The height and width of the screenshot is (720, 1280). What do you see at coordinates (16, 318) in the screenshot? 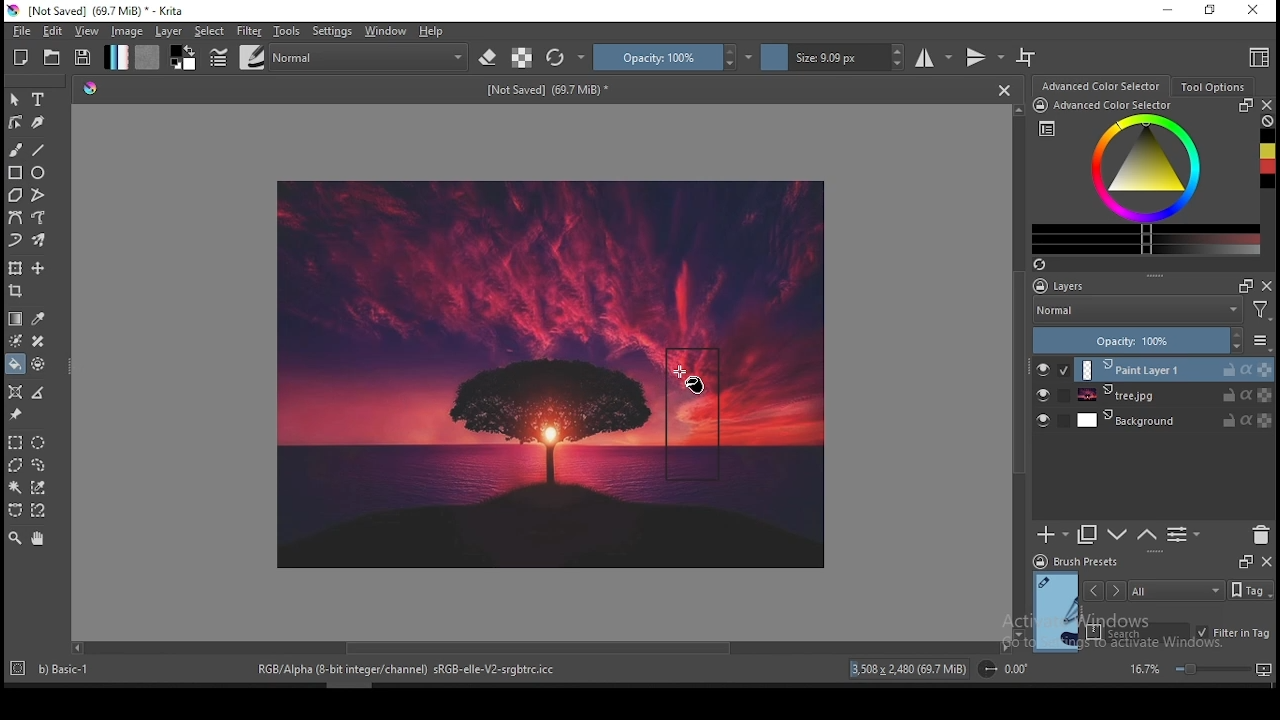
I see `gradient tool` at bounding box center [16, 318].